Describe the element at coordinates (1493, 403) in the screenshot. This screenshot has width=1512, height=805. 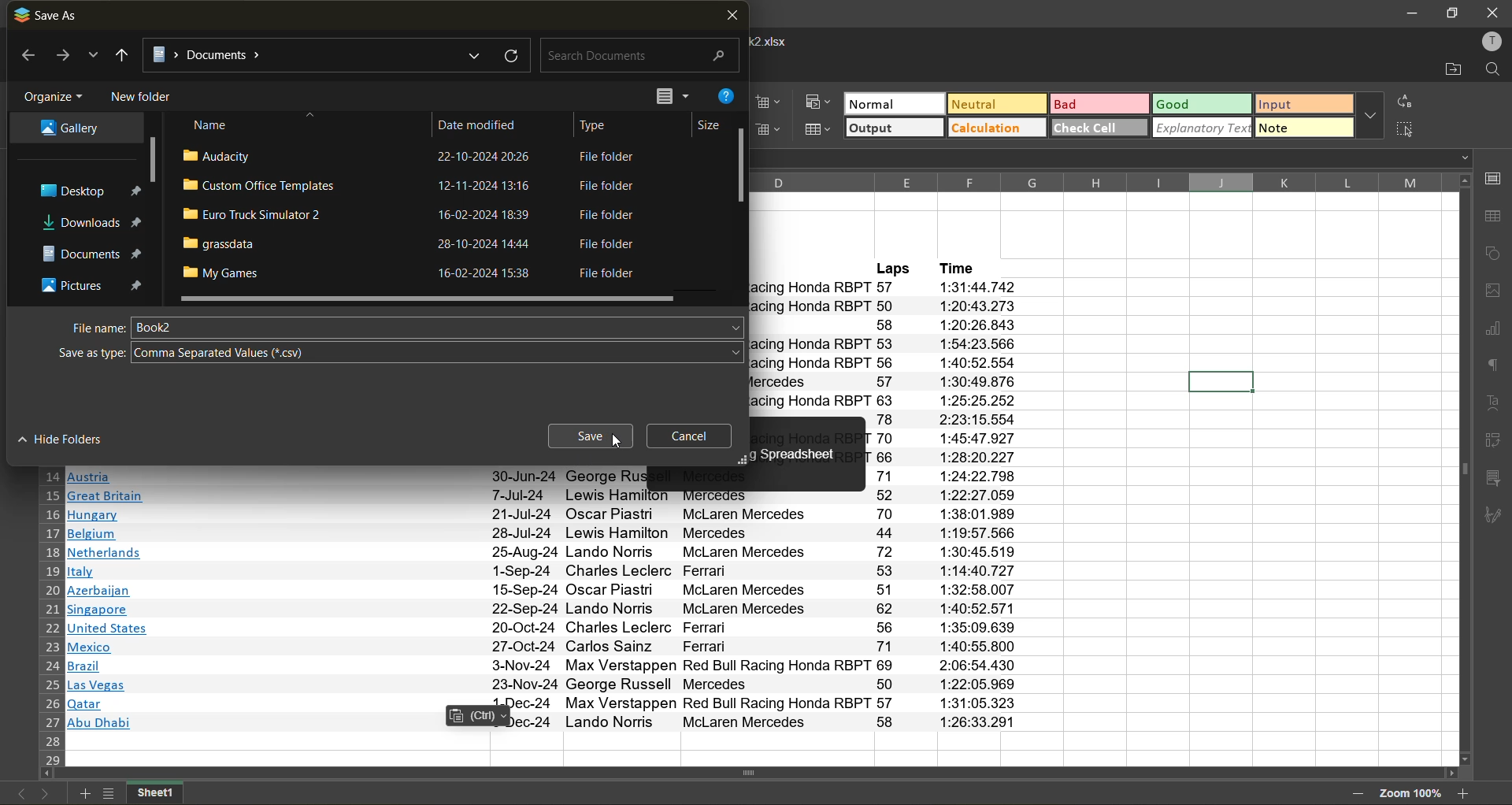
I see `text` at that location.